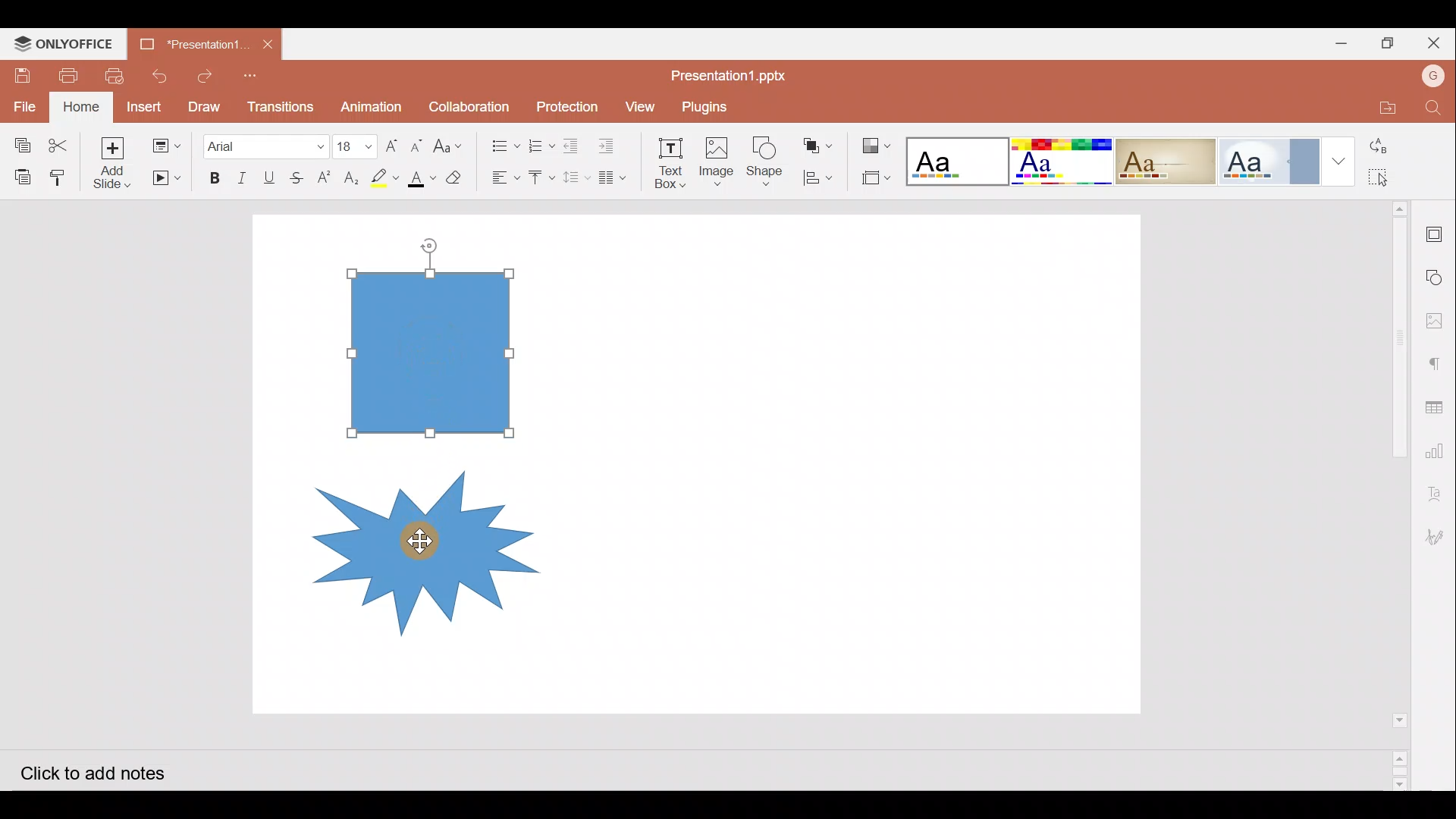  I want to click on Blank, so click(955, 157).